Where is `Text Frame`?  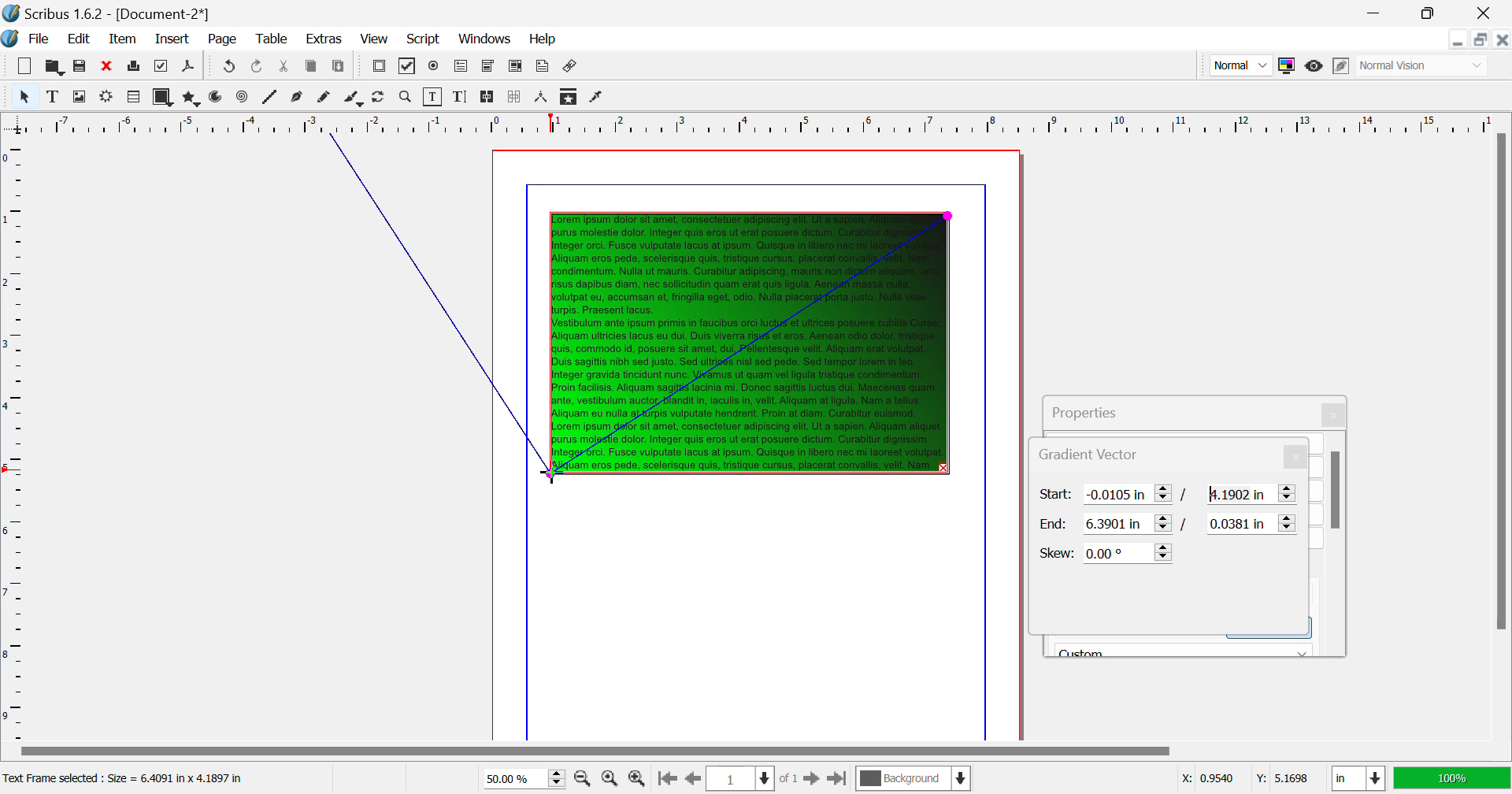
Text Frame is located at coordinates (53, 96).